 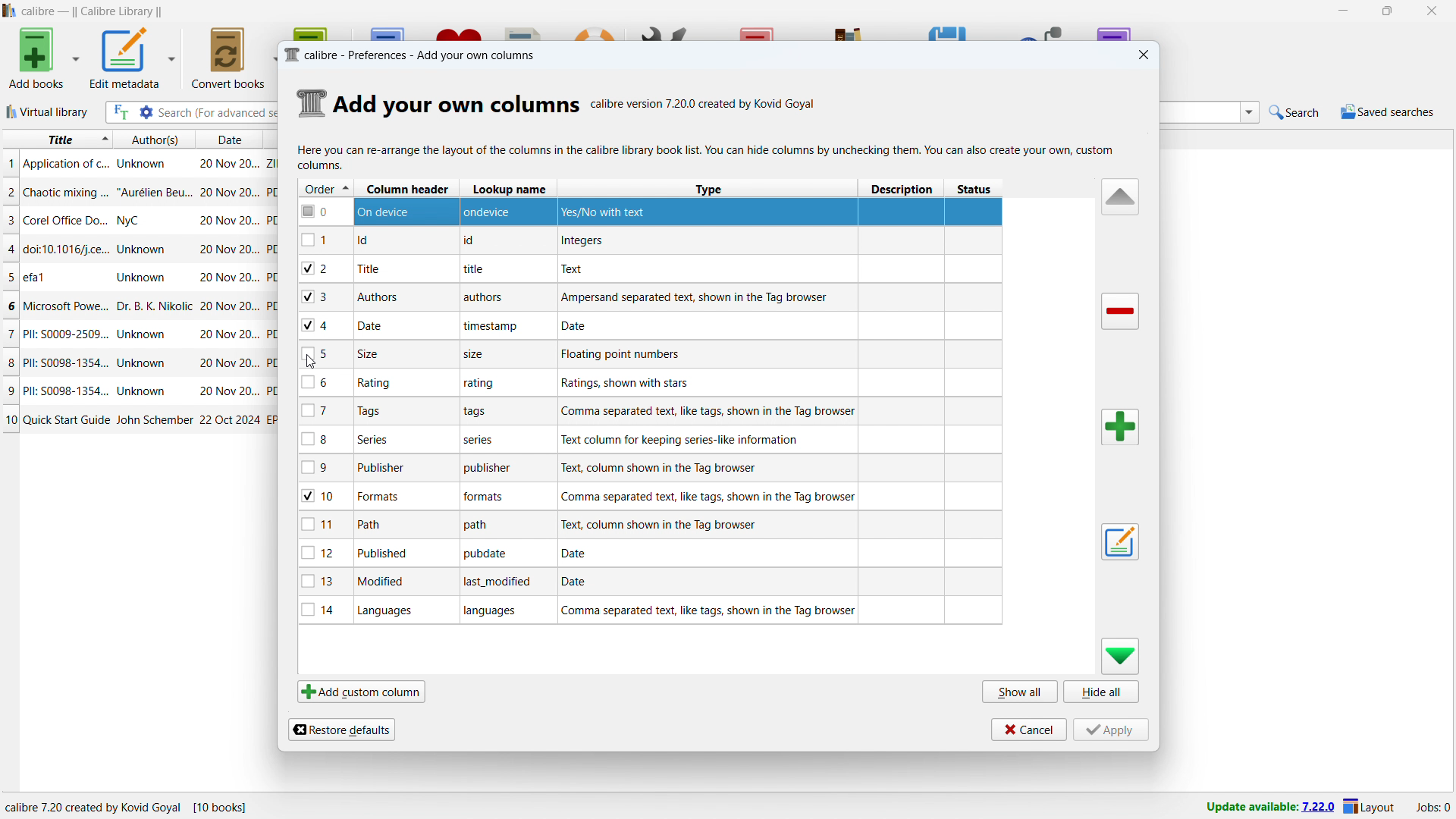 What do you see at coordinates (476, 356) in the screenshot?
I see `size` at bounding box center [476, 356].